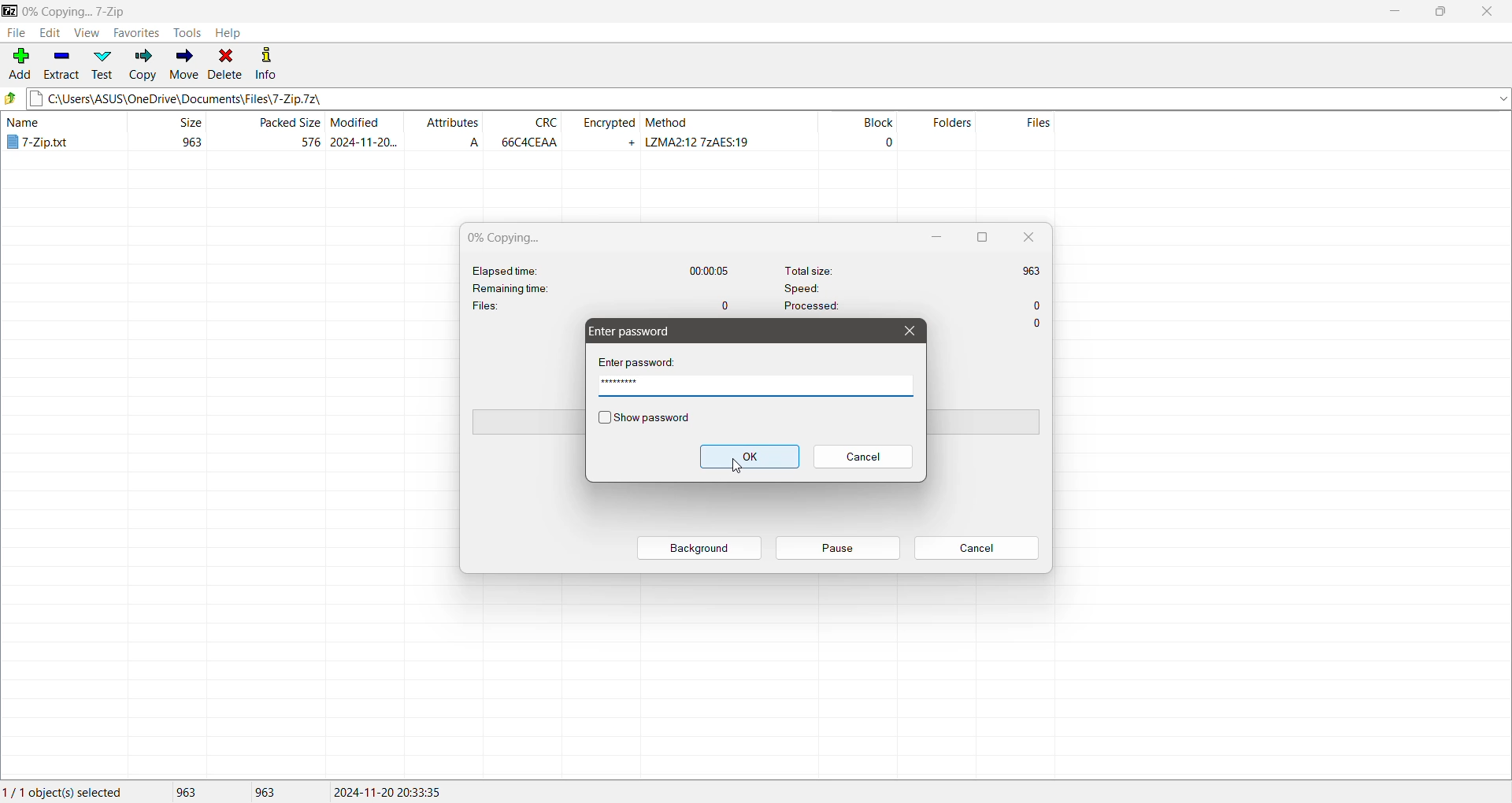  I want to click on Elapsed Time, so click(603, 269).